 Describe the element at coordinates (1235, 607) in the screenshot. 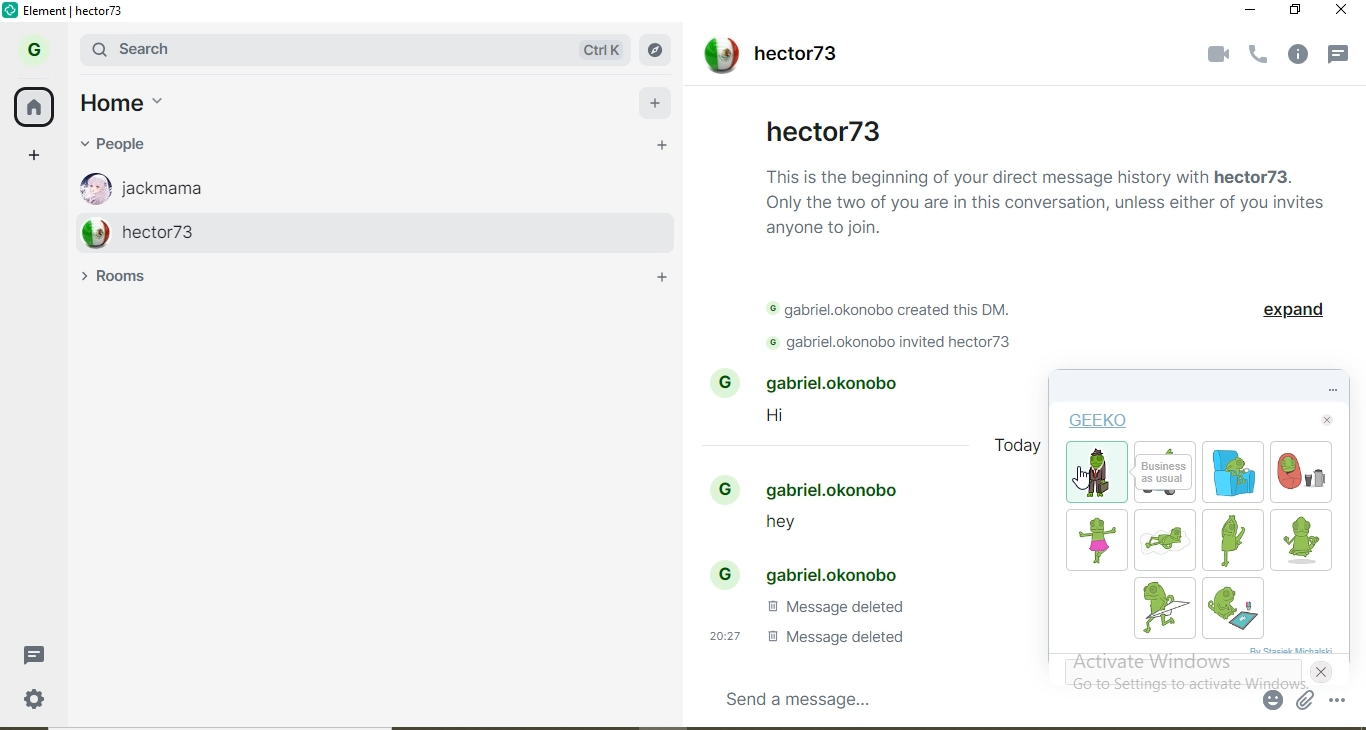

I see `sticker` at that location.